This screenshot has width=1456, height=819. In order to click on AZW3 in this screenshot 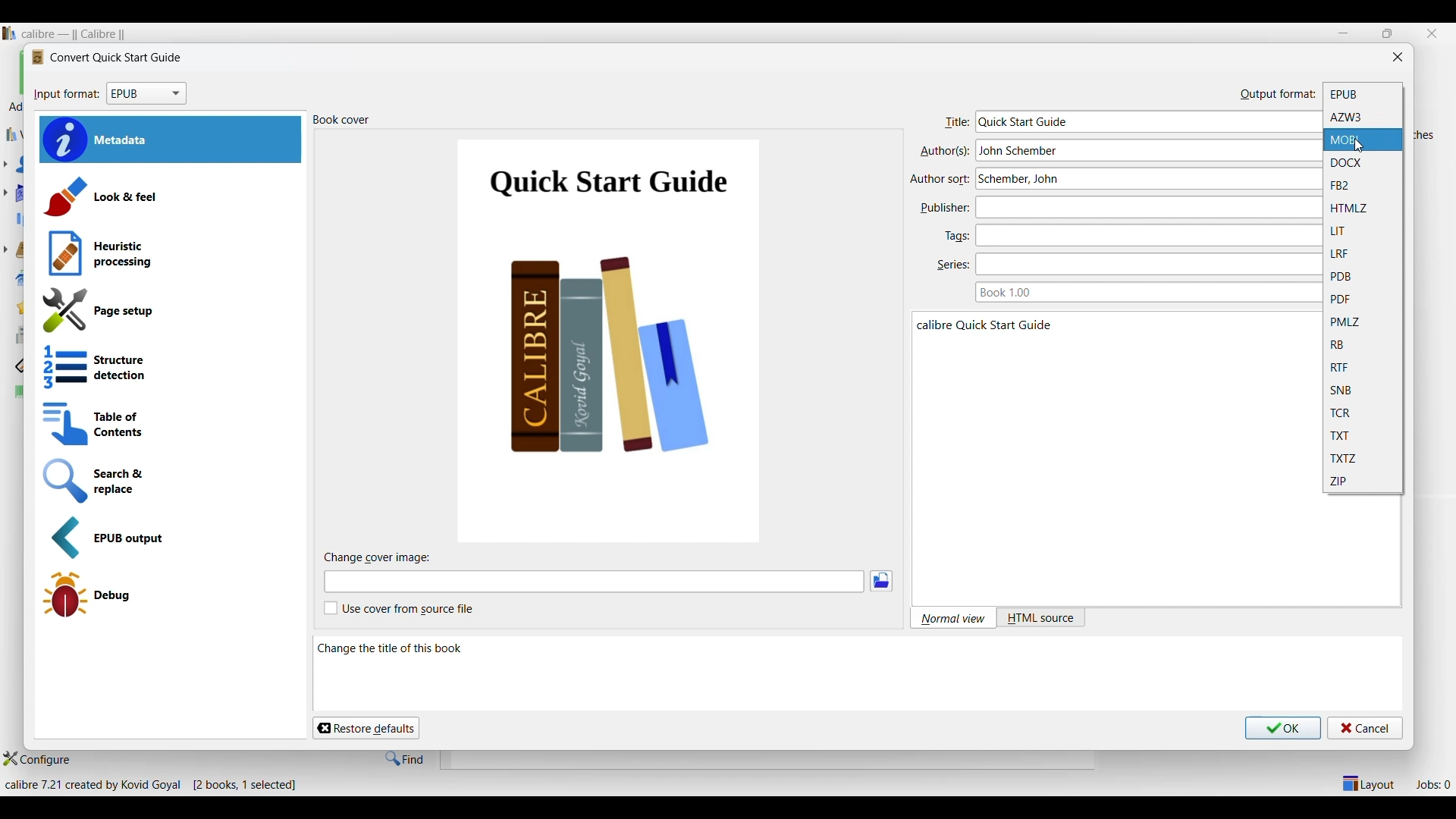, I will do `click(1363, 118)`.